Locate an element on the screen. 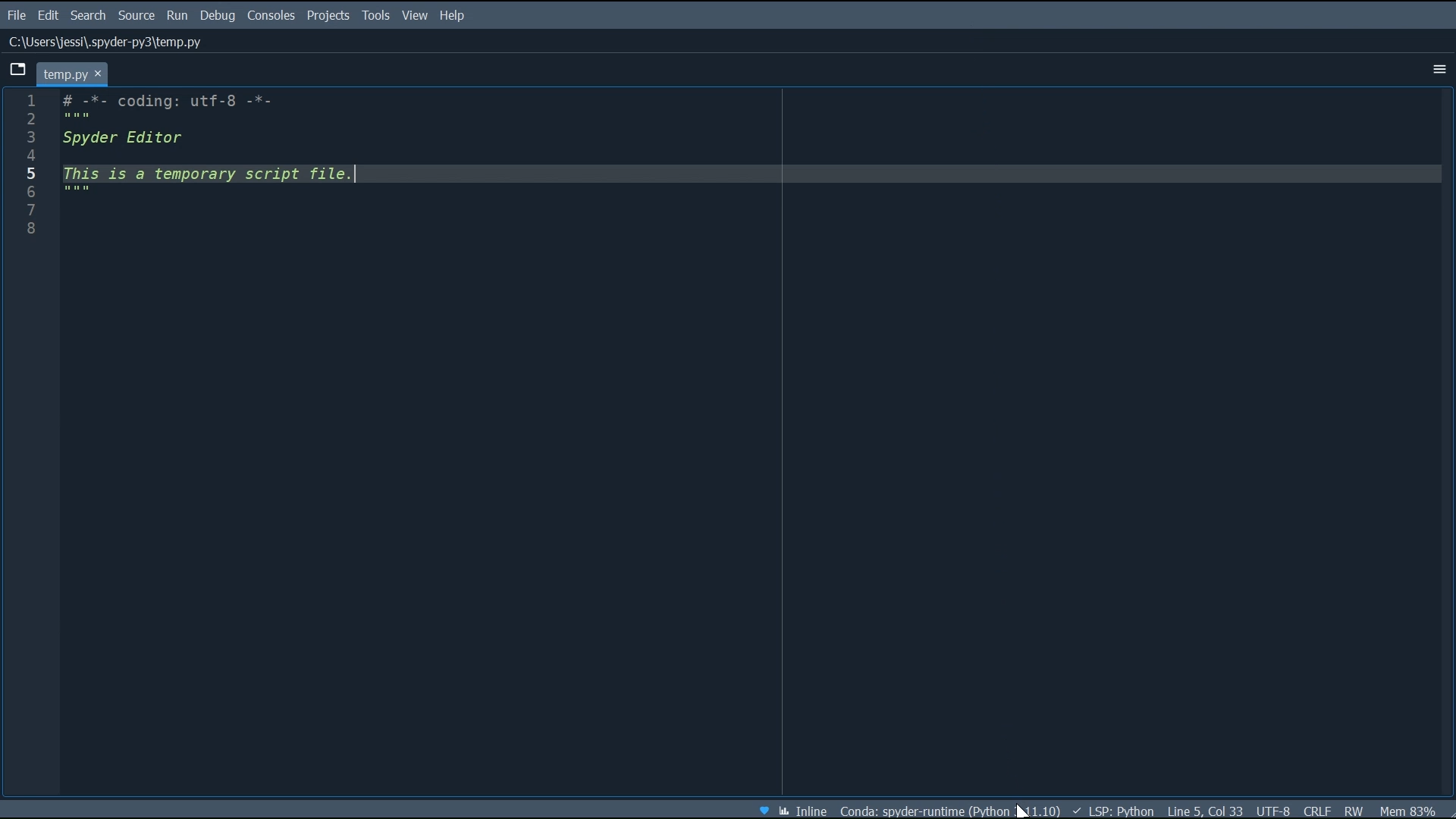 Image resolution: width=1456 pixels, height=819 pixels. File Encoding is located at coordinates (1276, 810).